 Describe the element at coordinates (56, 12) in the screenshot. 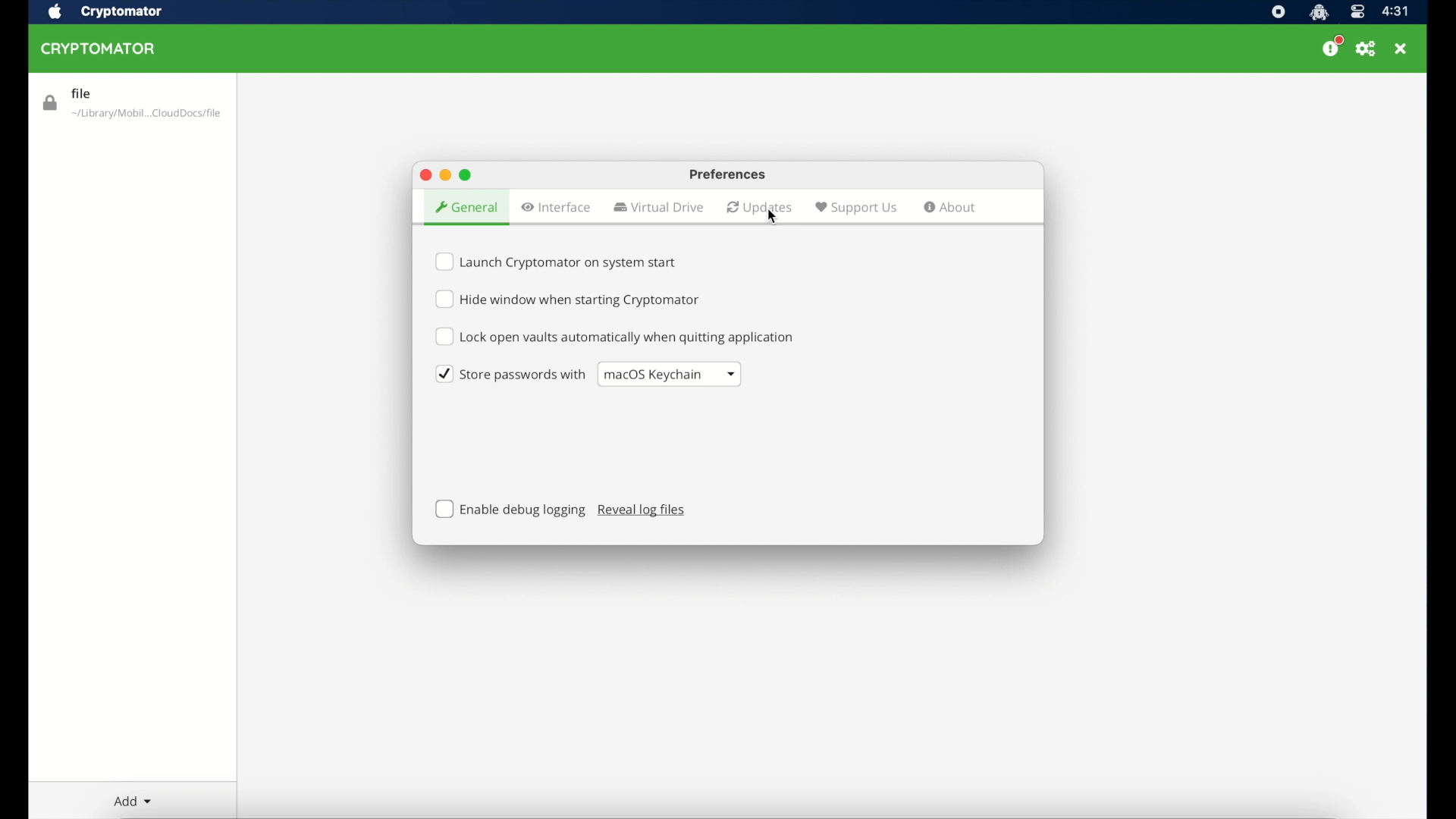

I see `apple icon` at that location.